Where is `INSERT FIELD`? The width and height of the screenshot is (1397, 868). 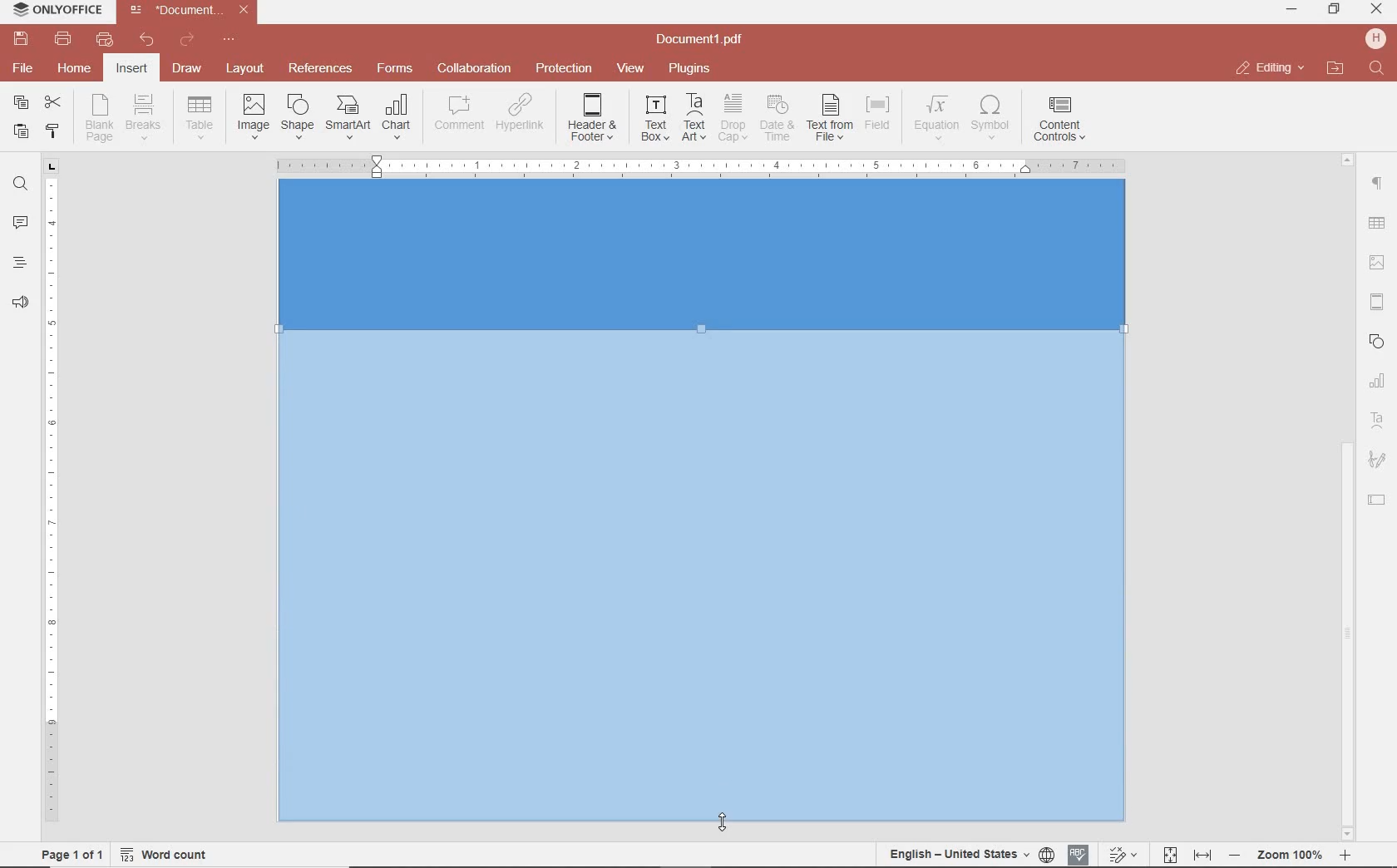 INSERT FIELD is located at coordinates (879, 113).